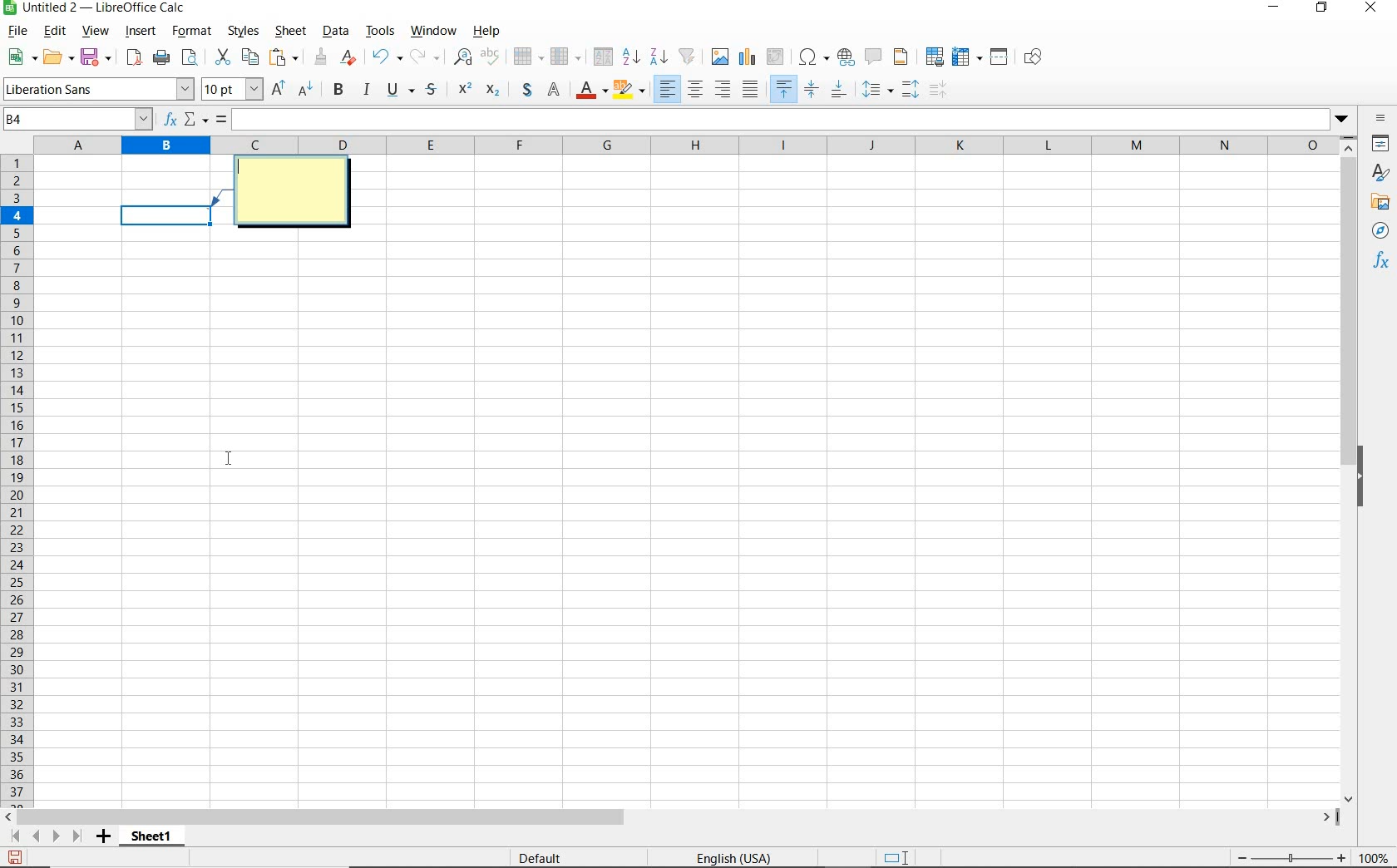 This screenshot has height=868, width=1397. What do you see at coordinates (386, 57) in the screenshot?
I see `undo` at bounding box center [386, 57].